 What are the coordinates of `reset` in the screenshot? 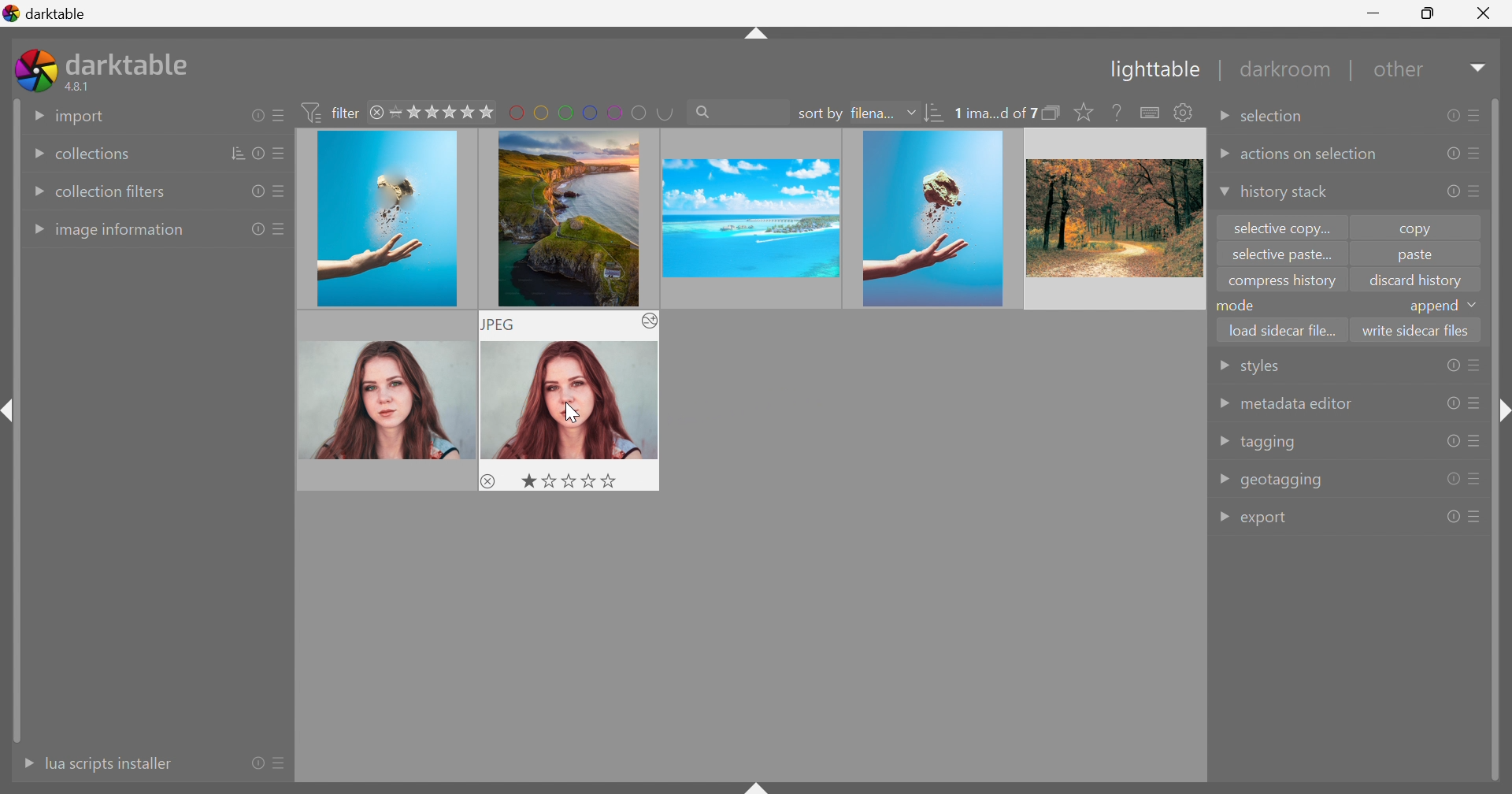 It's located at (1452, 403).